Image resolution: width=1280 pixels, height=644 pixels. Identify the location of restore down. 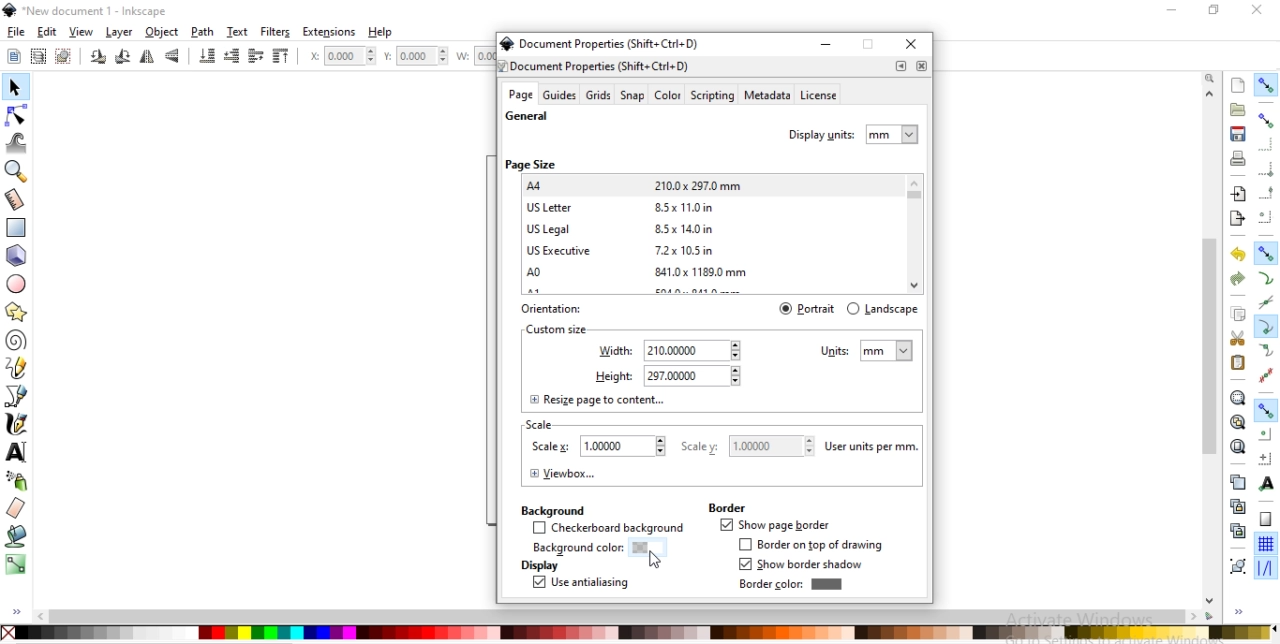
(1210, 9).